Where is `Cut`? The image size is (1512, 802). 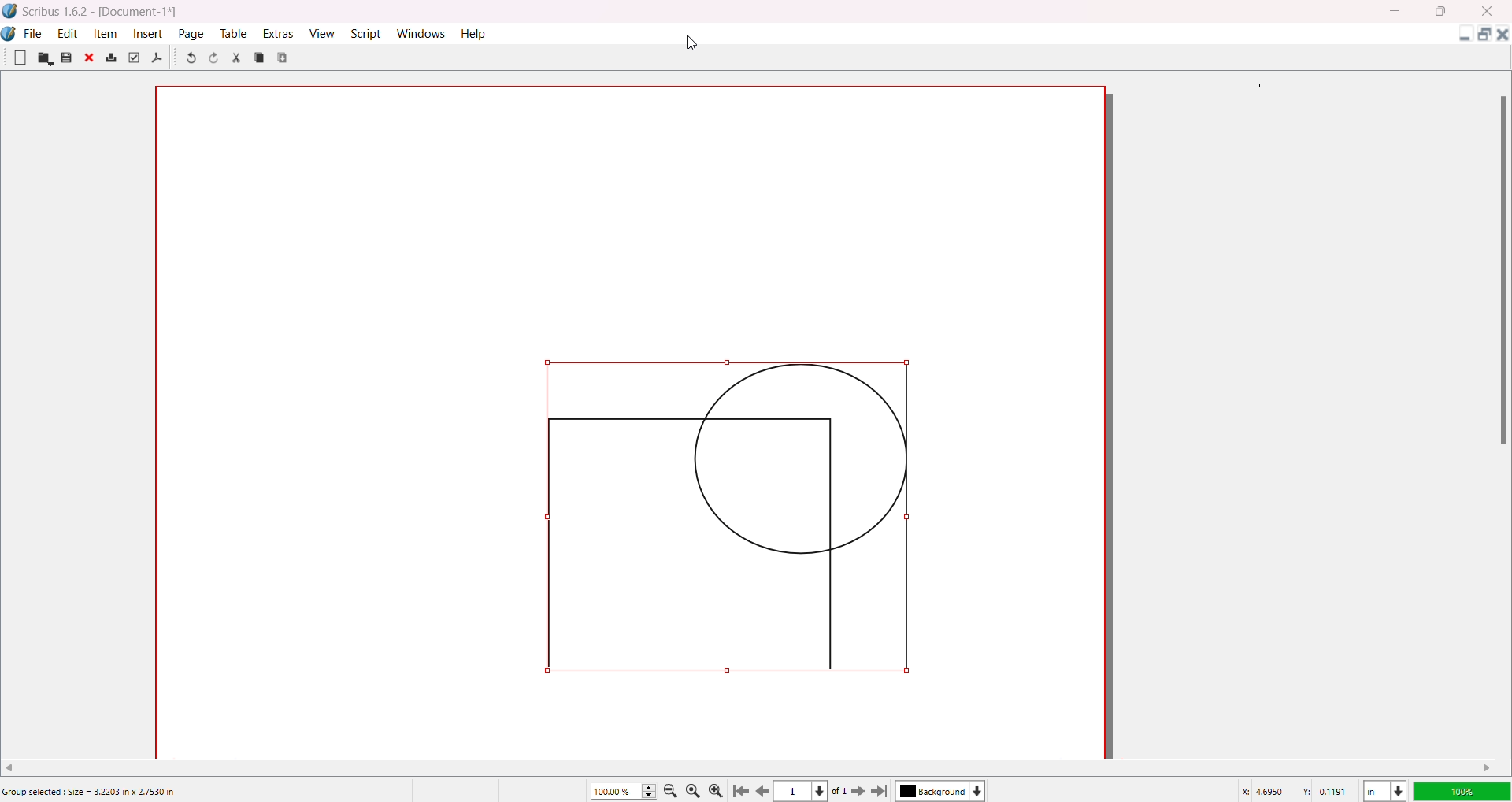
Cut is located at coordinates (236, 58).